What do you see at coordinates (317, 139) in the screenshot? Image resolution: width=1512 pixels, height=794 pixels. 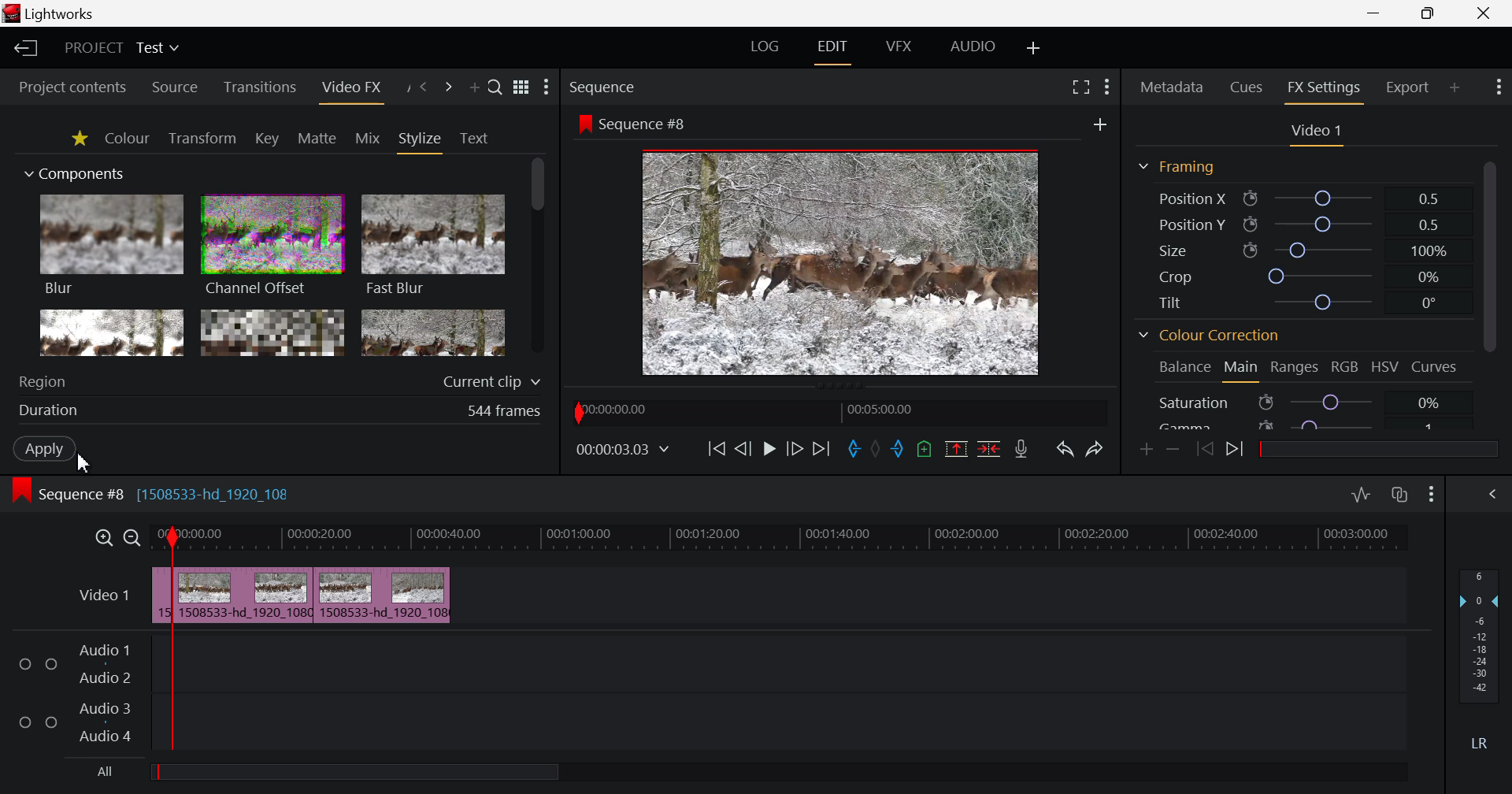 I see `Matte` at bounding box center [317, 139].